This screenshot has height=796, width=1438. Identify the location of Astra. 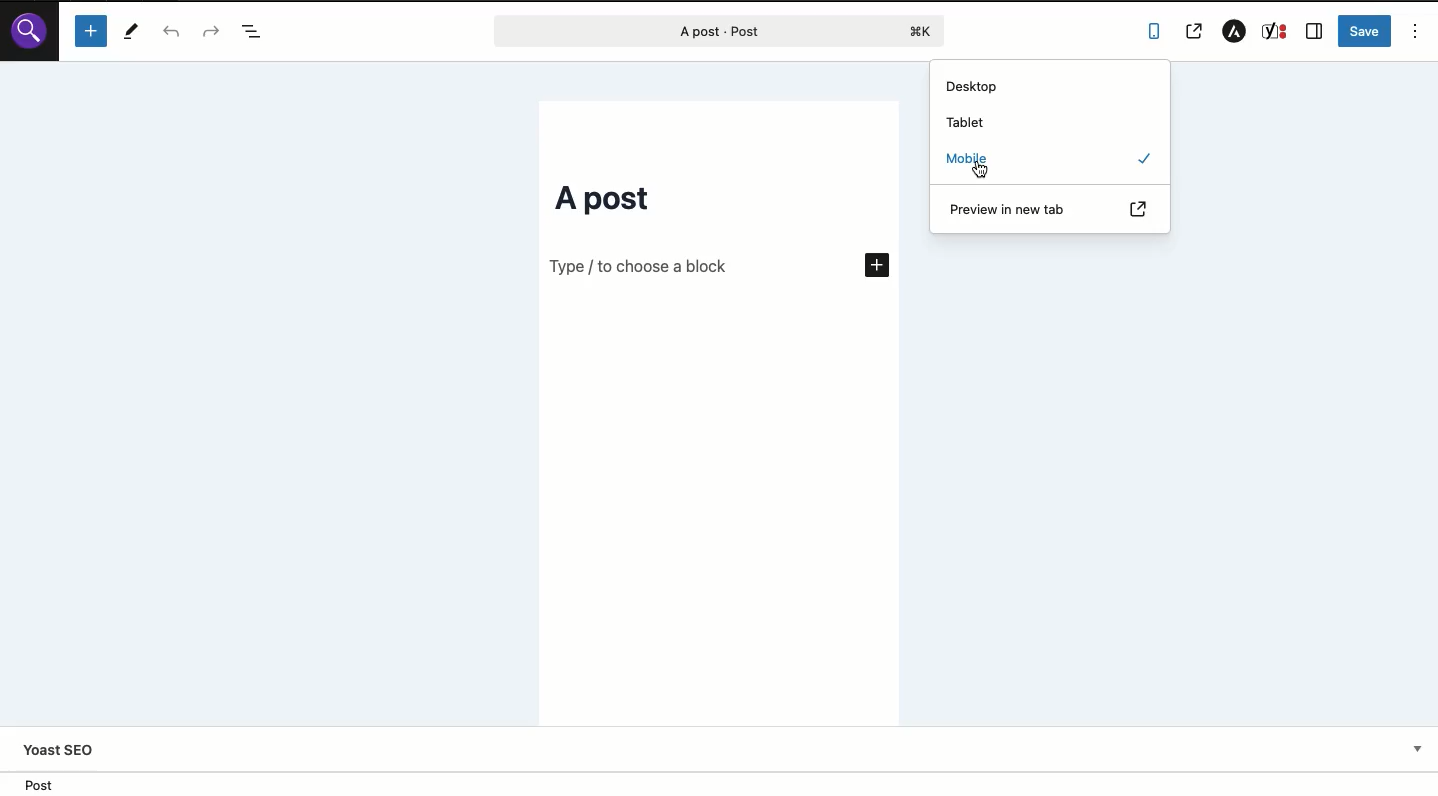
(1235, 30).